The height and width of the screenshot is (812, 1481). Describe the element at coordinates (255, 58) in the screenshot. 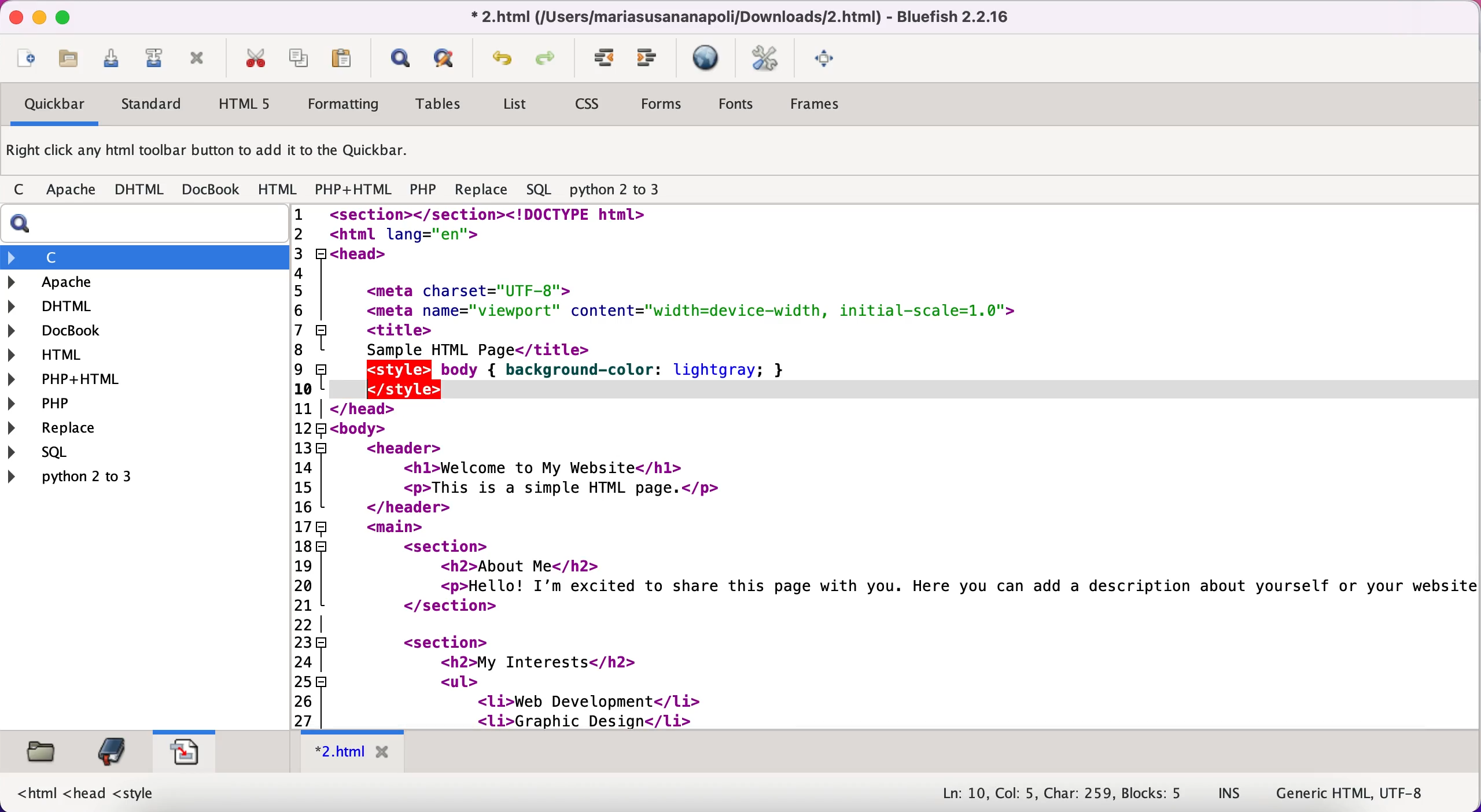

I see `cut` at that location.